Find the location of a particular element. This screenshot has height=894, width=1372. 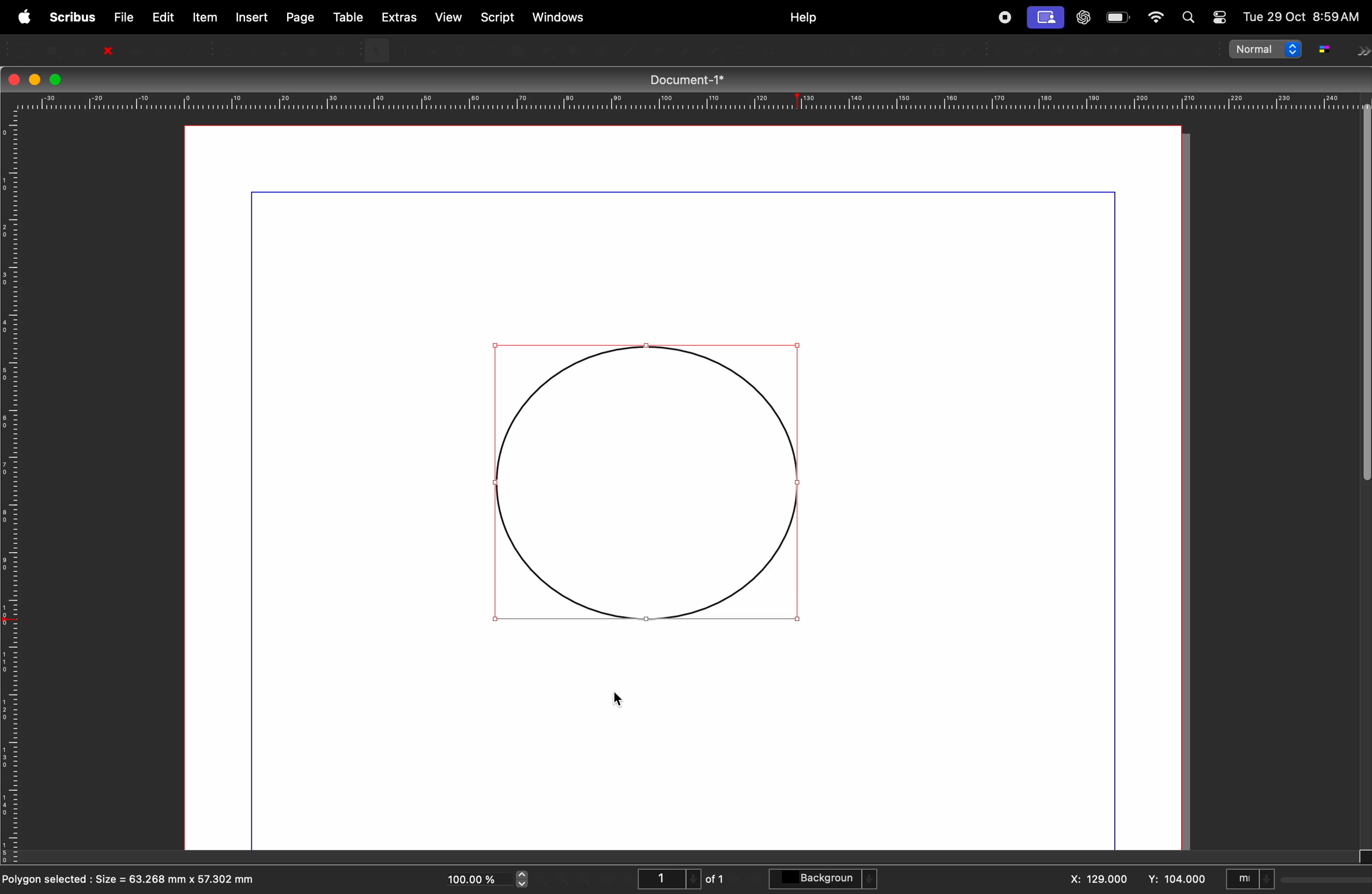

windows is located at coordinates (560, 16).